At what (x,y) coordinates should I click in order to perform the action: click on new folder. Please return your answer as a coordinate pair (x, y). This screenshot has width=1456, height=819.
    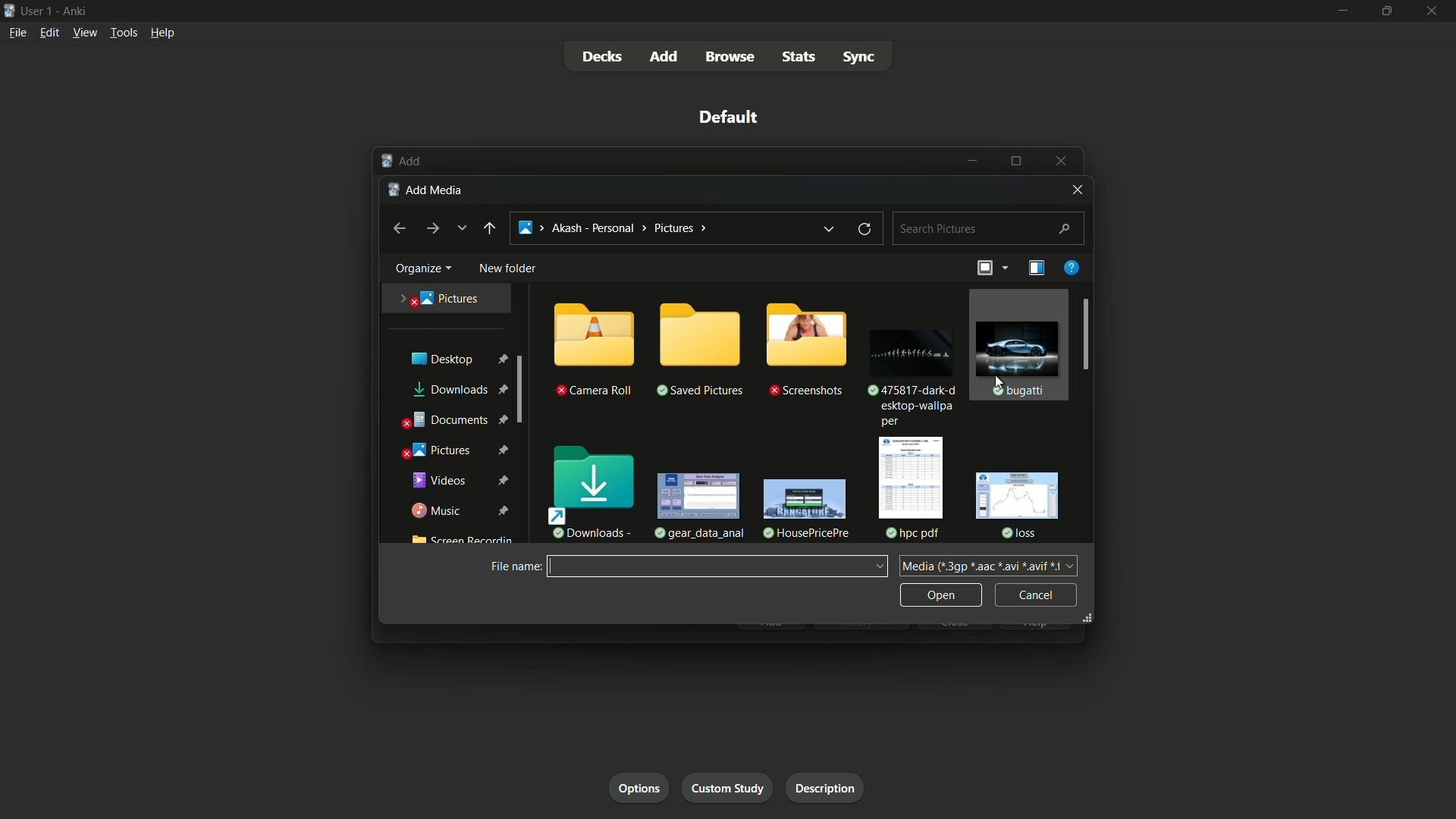
    Looking at the image, I should click on (509, 269).